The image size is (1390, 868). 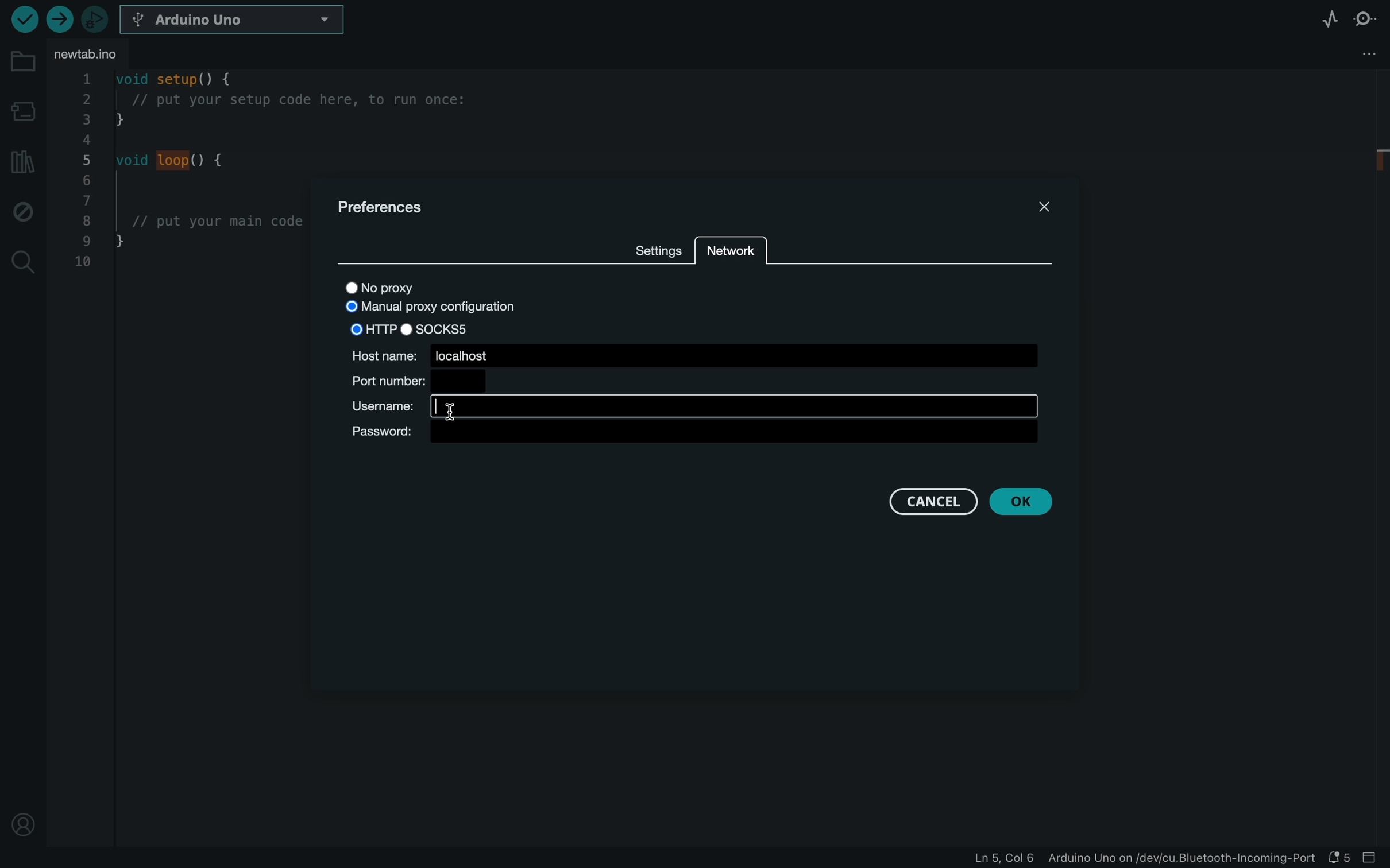 I want to click on cancel, so click(x=934, y=501).